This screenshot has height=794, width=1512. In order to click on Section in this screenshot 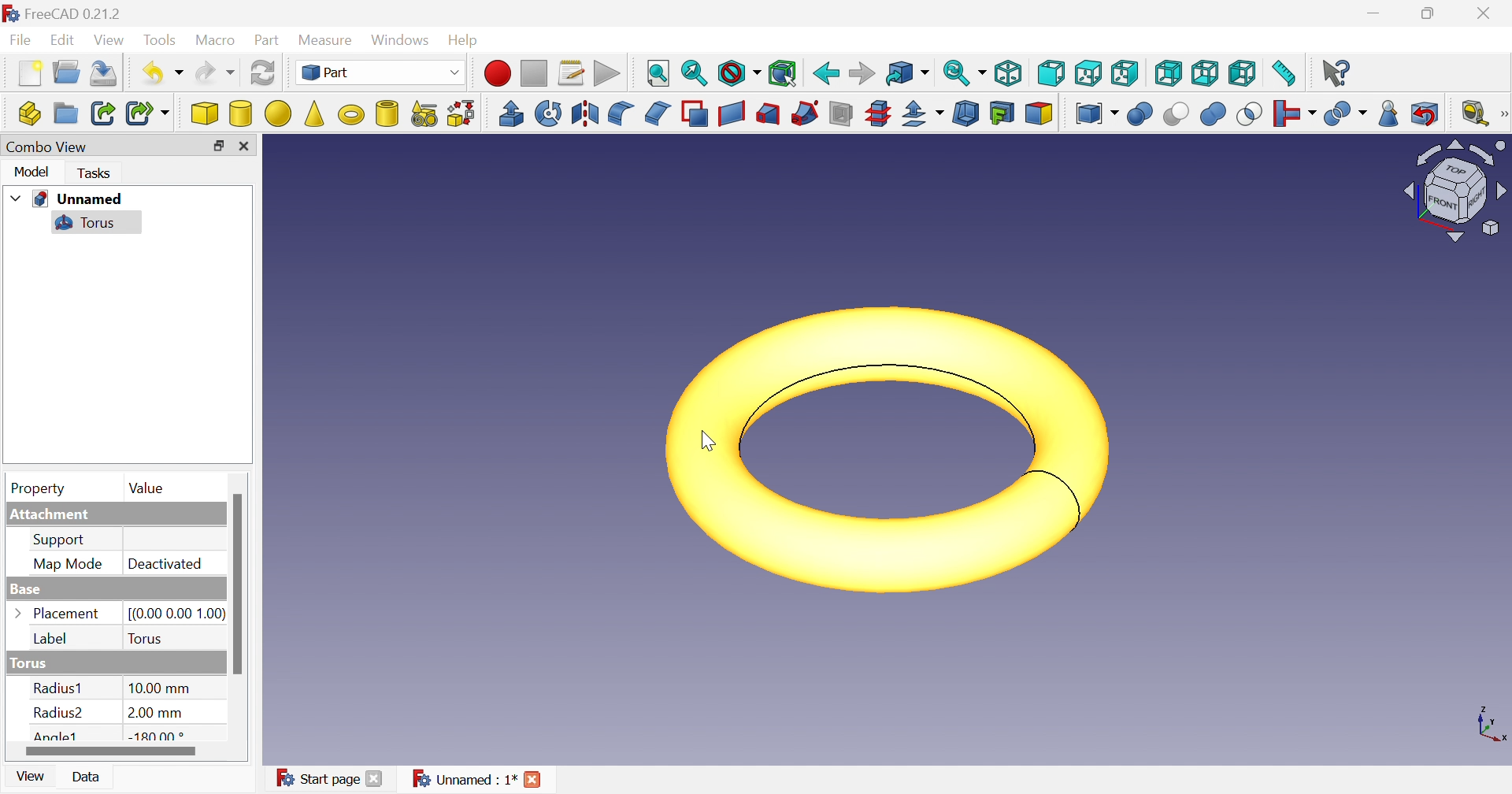, I will do `click(843, 113)`.